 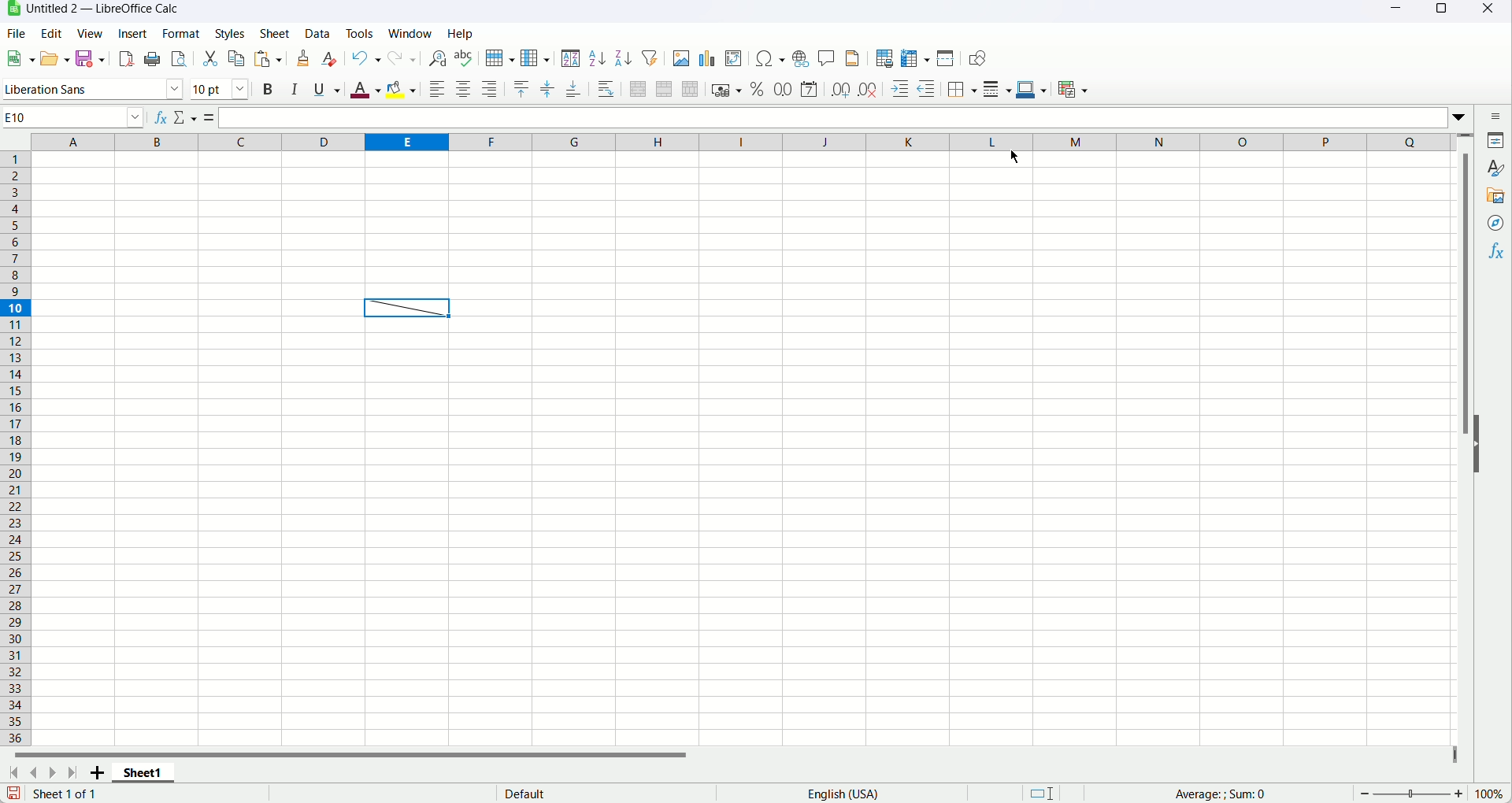 What do you see at coordinates (490, 87) in the screenshot?
I see `Align right` at bounding box center [490, 87].